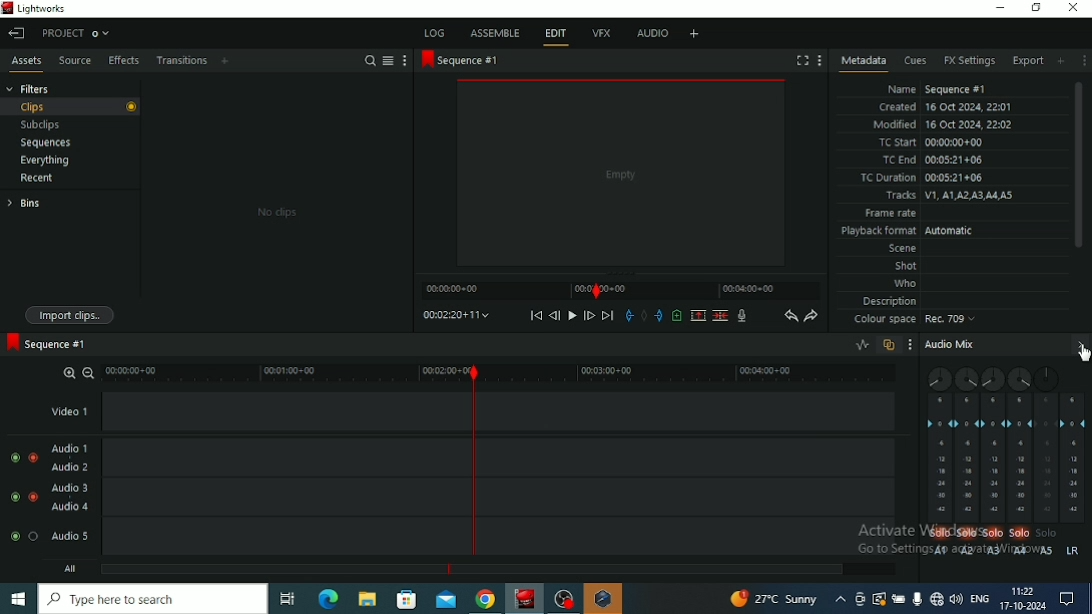 This screenshot has height=614, width=1092. Describe the element at coordinates (720, 316) in the screenshot. I see `Delete/cut` at that location.